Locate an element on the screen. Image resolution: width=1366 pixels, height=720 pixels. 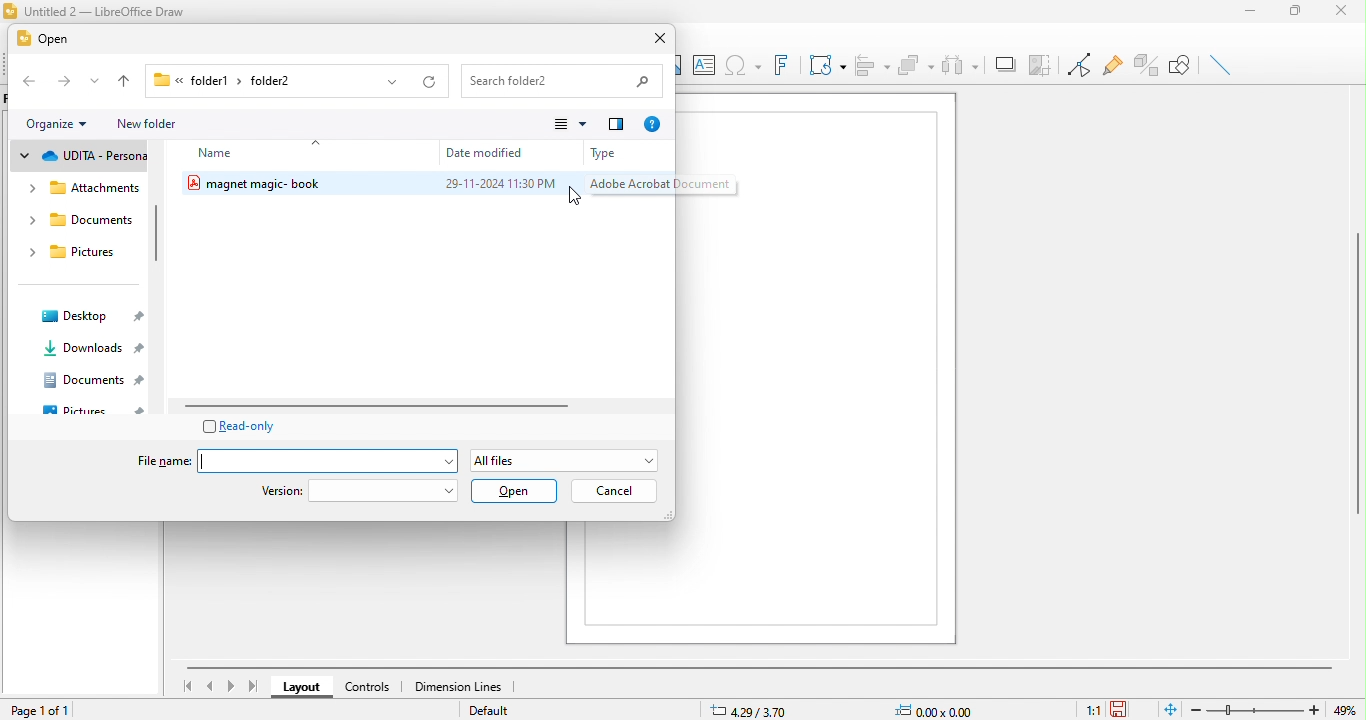
page 1 of 1 is located at coordinates (54, 712).